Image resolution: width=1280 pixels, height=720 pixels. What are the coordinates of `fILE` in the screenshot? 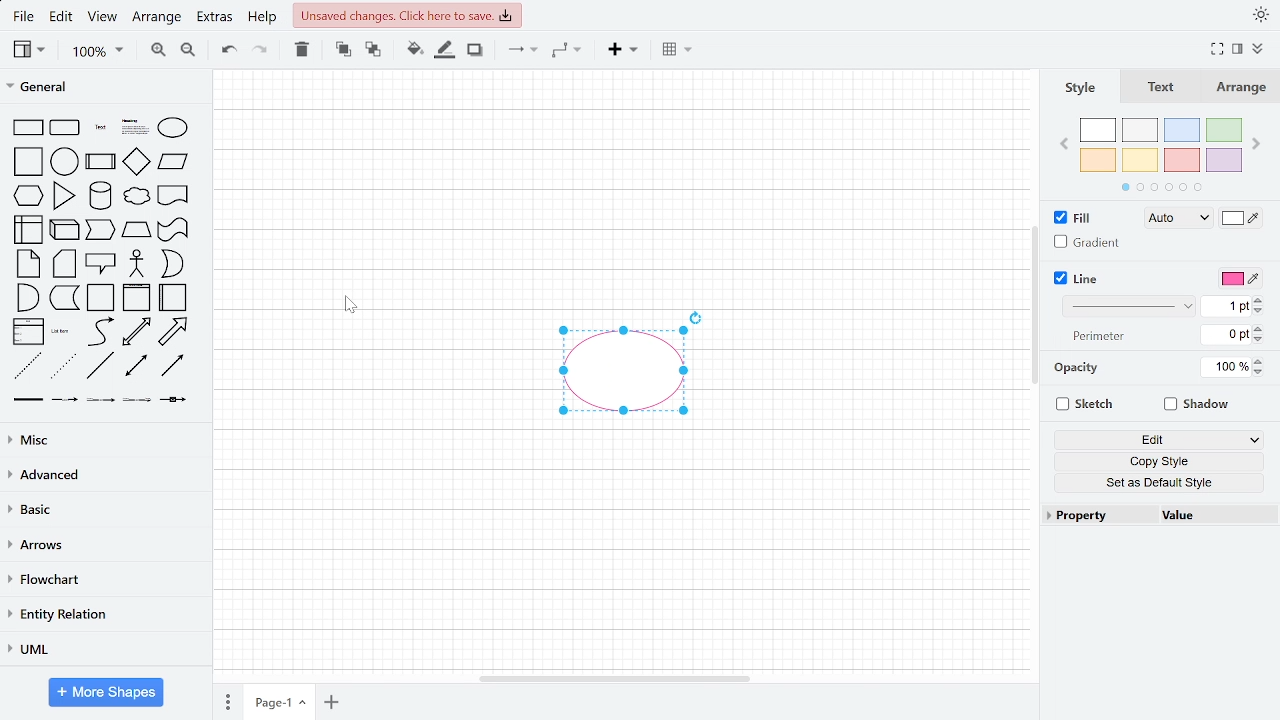 It's located at (20, 19).